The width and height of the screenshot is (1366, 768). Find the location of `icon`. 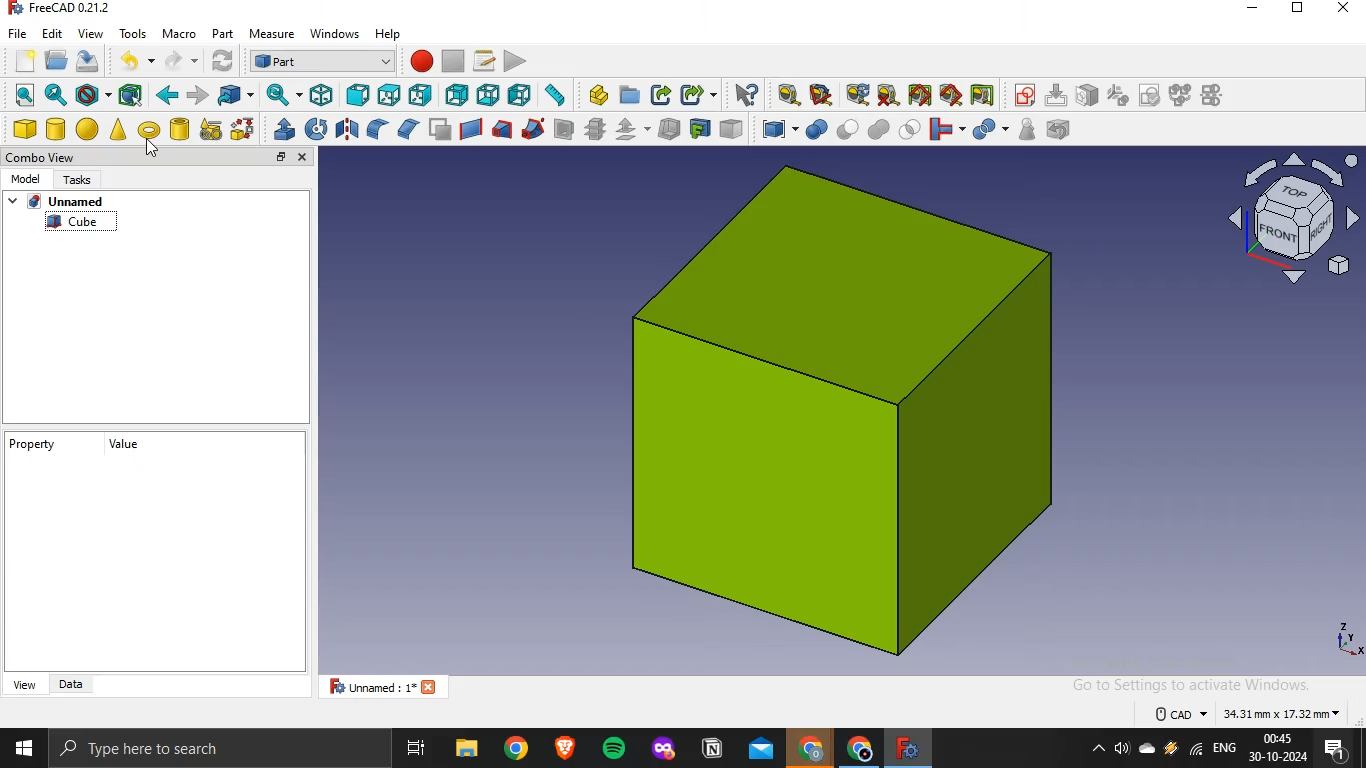

icon is located at coordinates (1120, 94).